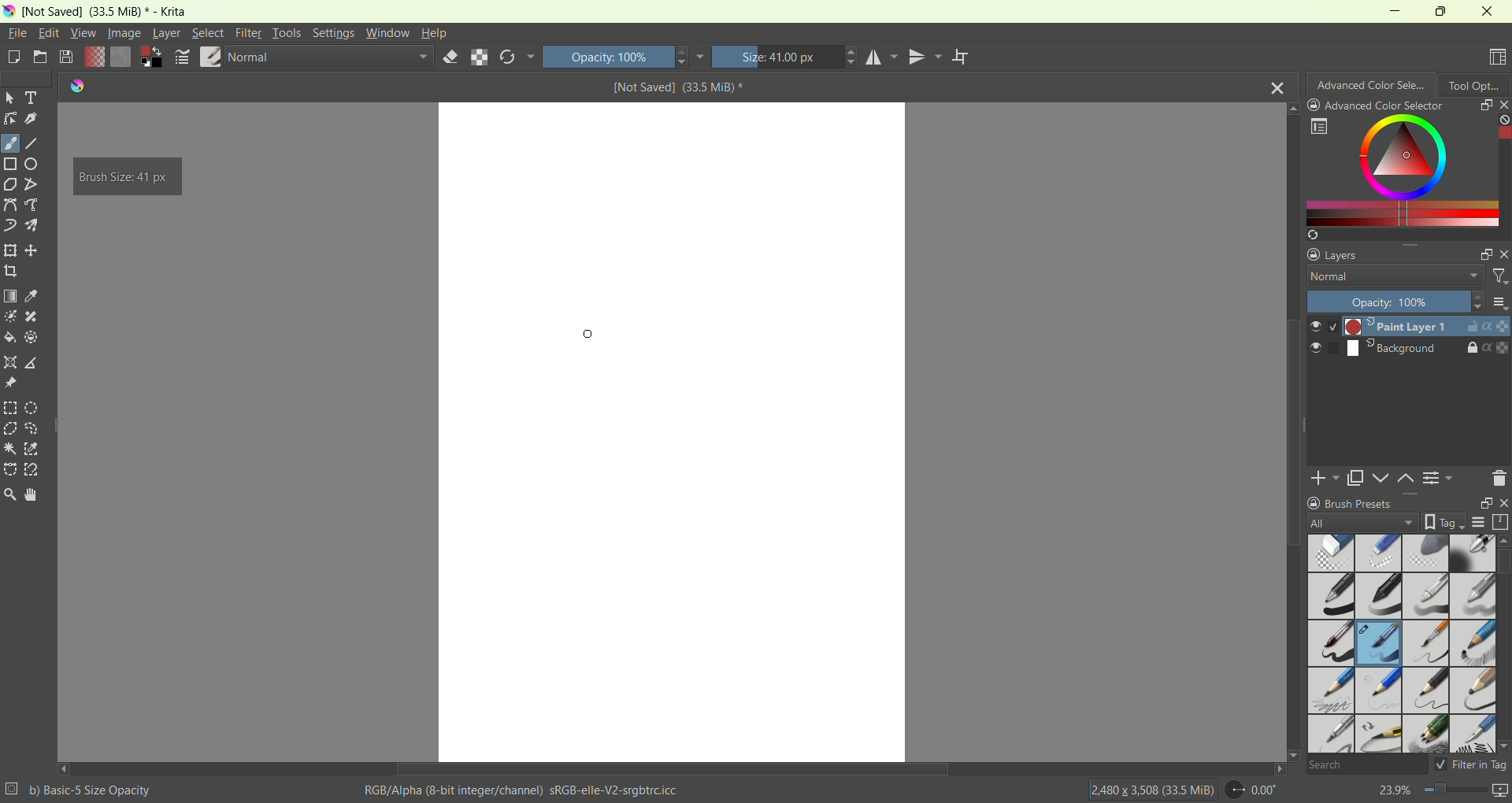 This screenshot has height=803, width=1512. I want to click on filter, so click(250, 33).